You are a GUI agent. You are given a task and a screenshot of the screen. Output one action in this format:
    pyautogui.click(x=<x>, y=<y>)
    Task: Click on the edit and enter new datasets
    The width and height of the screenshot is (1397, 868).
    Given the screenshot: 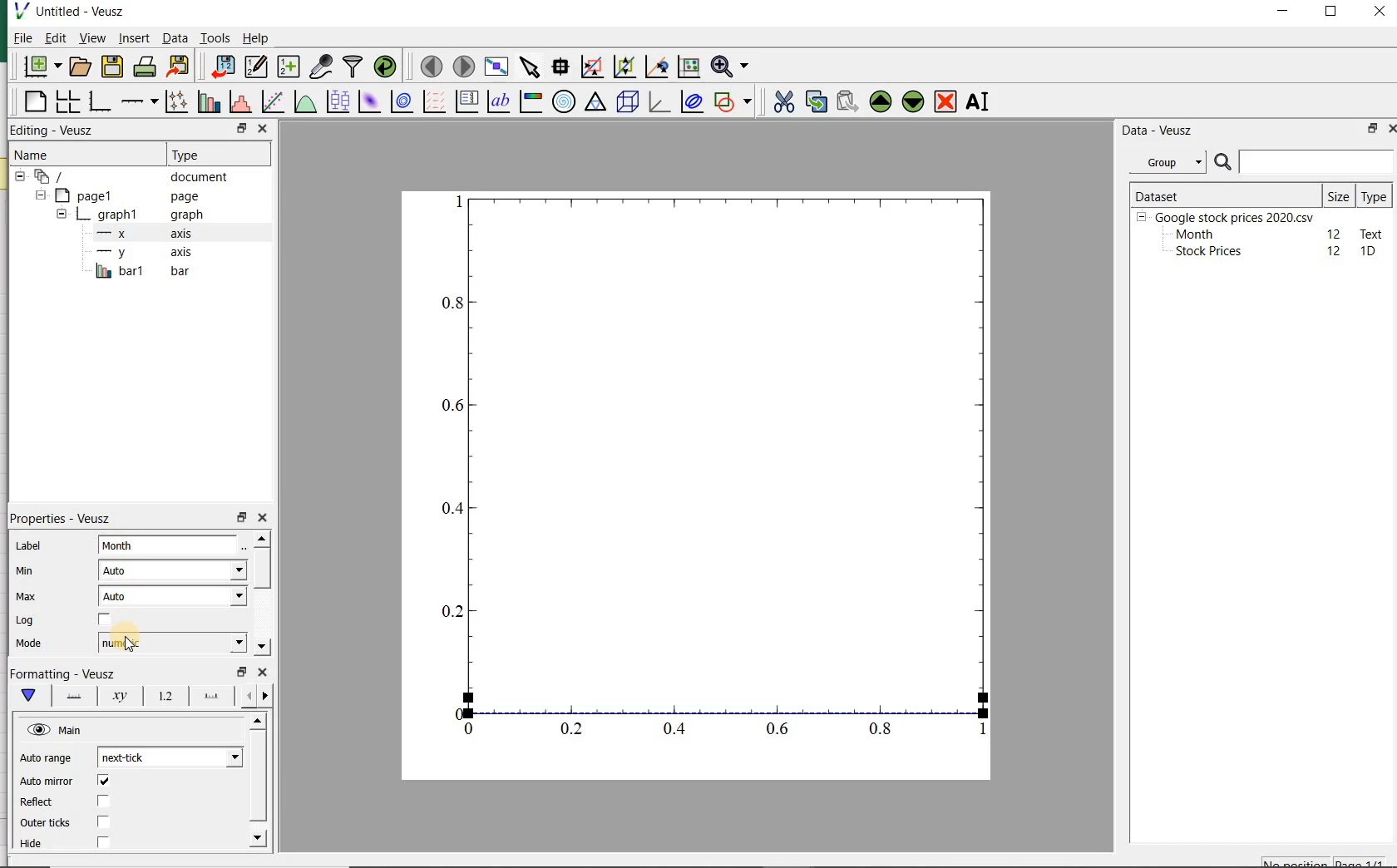 What is the action you would take?
    pyautogui.click(x=255, y=67)
    